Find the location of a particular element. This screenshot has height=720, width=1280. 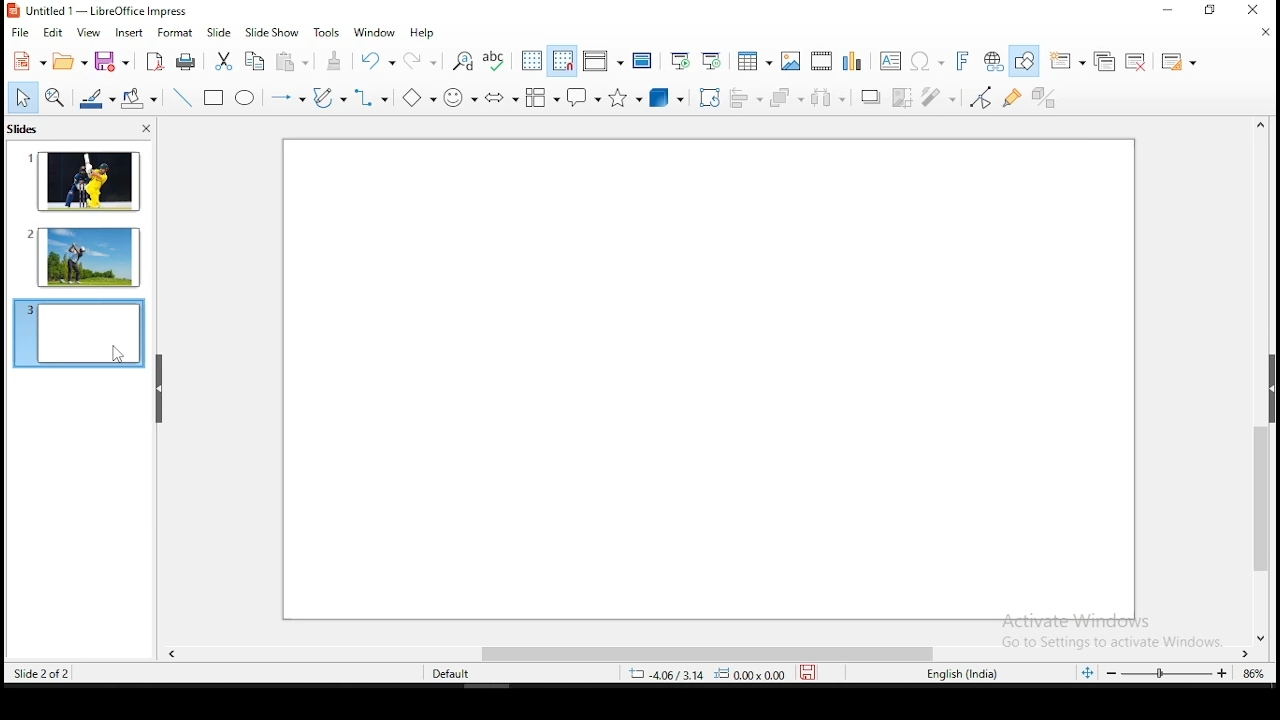

insert special characters is located at coordinates (924, 60).